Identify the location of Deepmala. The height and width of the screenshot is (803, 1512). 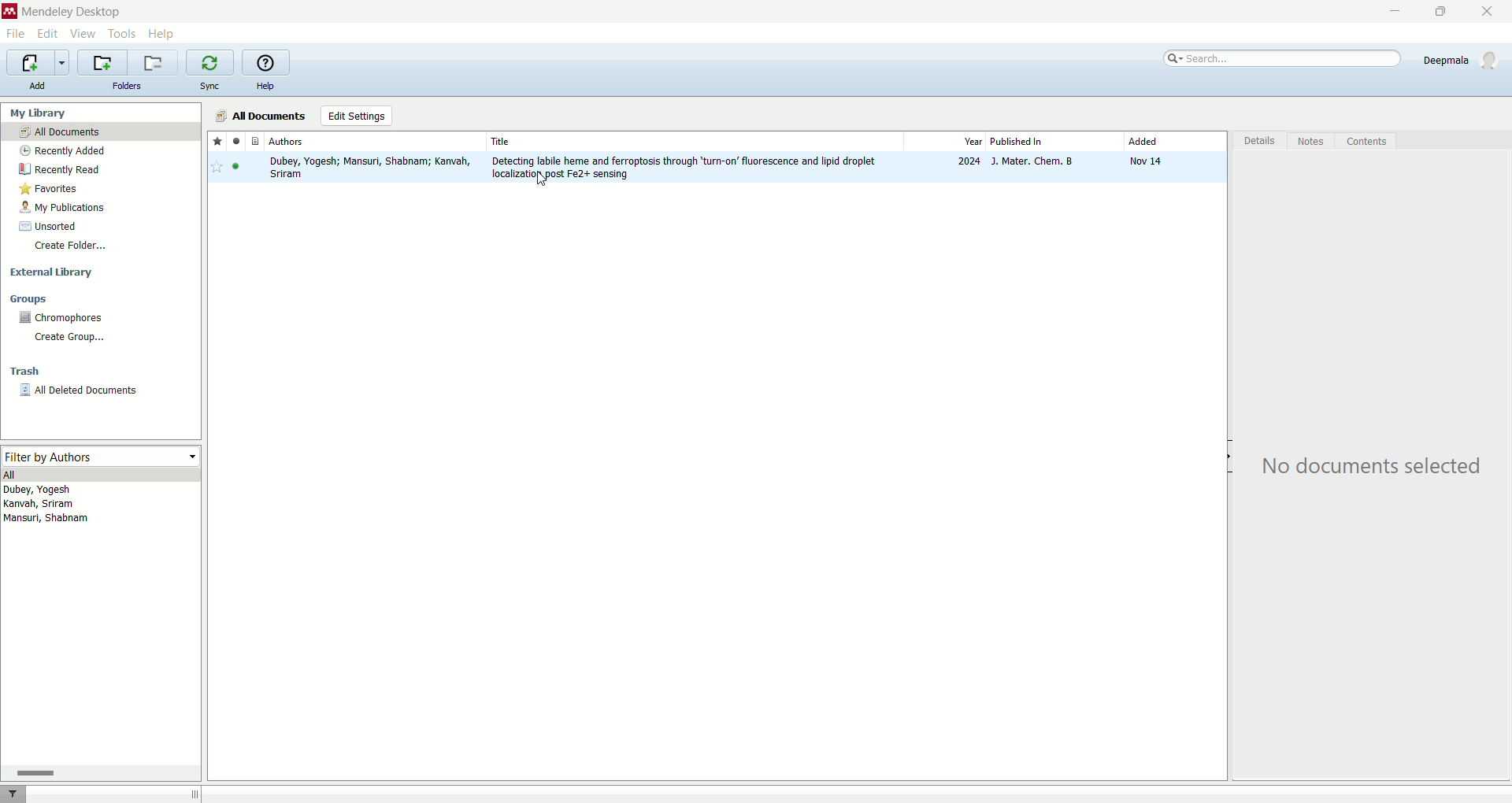
(1462, 57).